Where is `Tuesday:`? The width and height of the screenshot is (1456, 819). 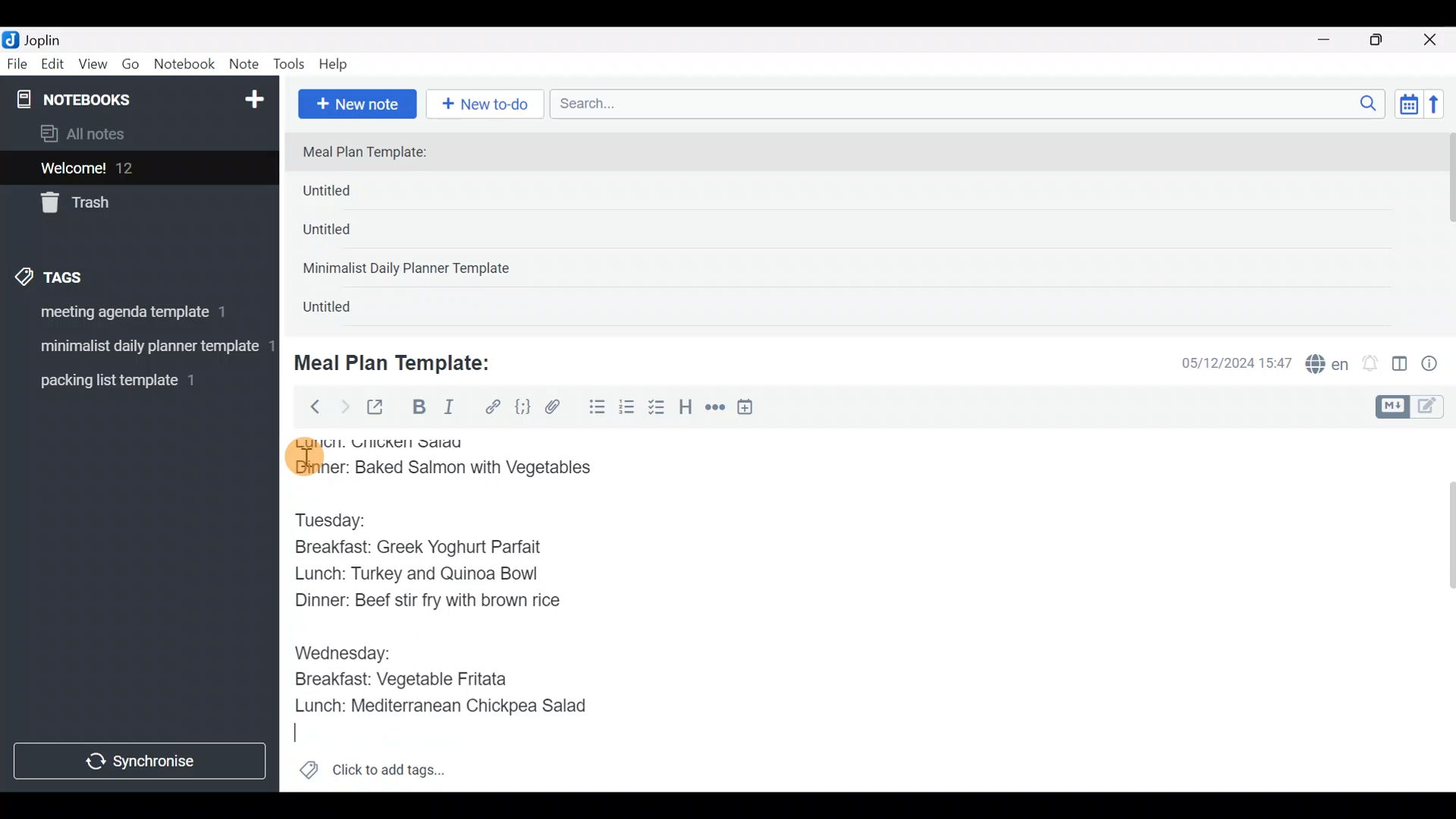 Tuesday: is located at coordinates (340, 519).